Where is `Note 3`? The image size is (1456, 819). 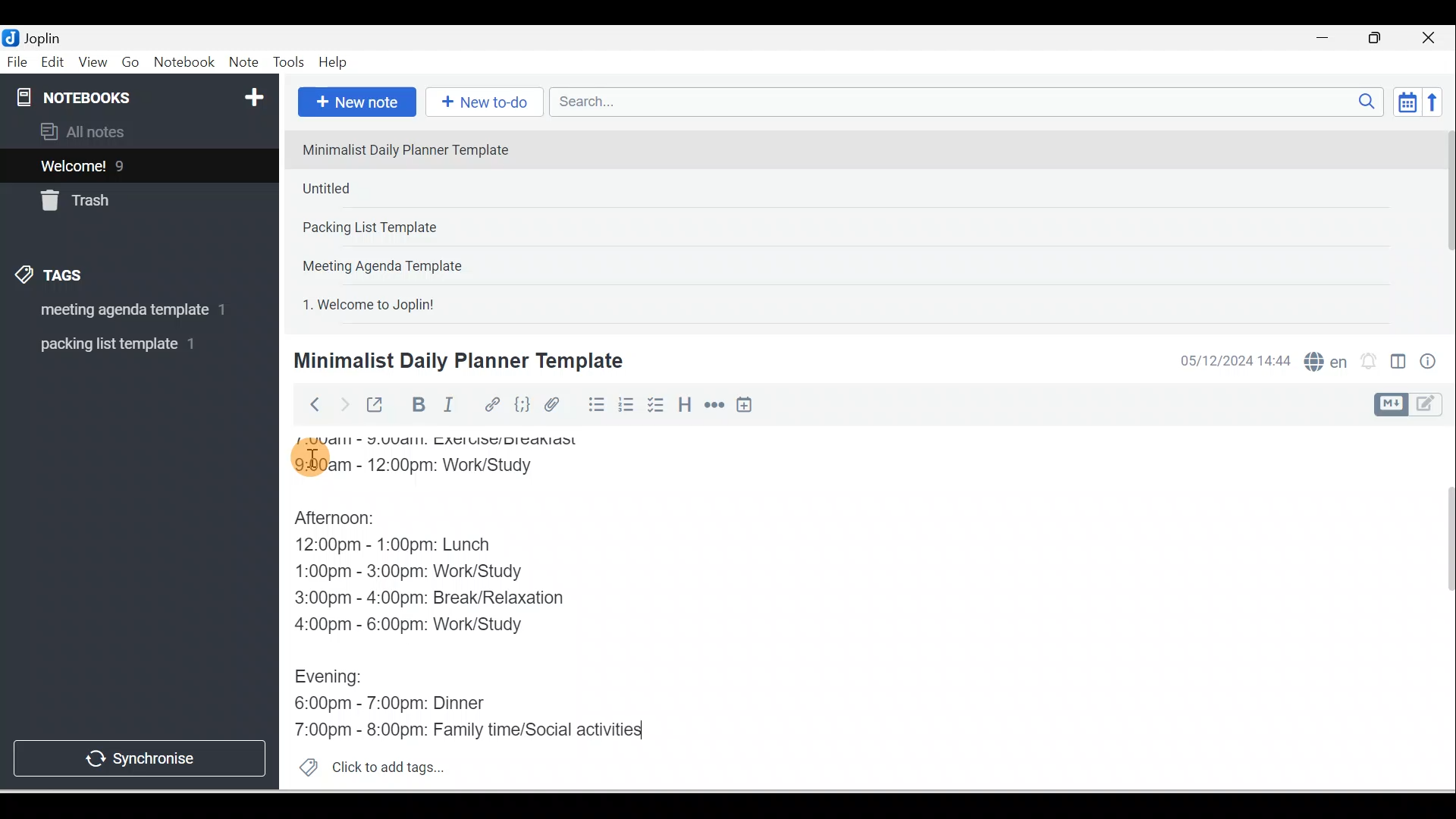 Note 3 is located at coordinates (418, 228).